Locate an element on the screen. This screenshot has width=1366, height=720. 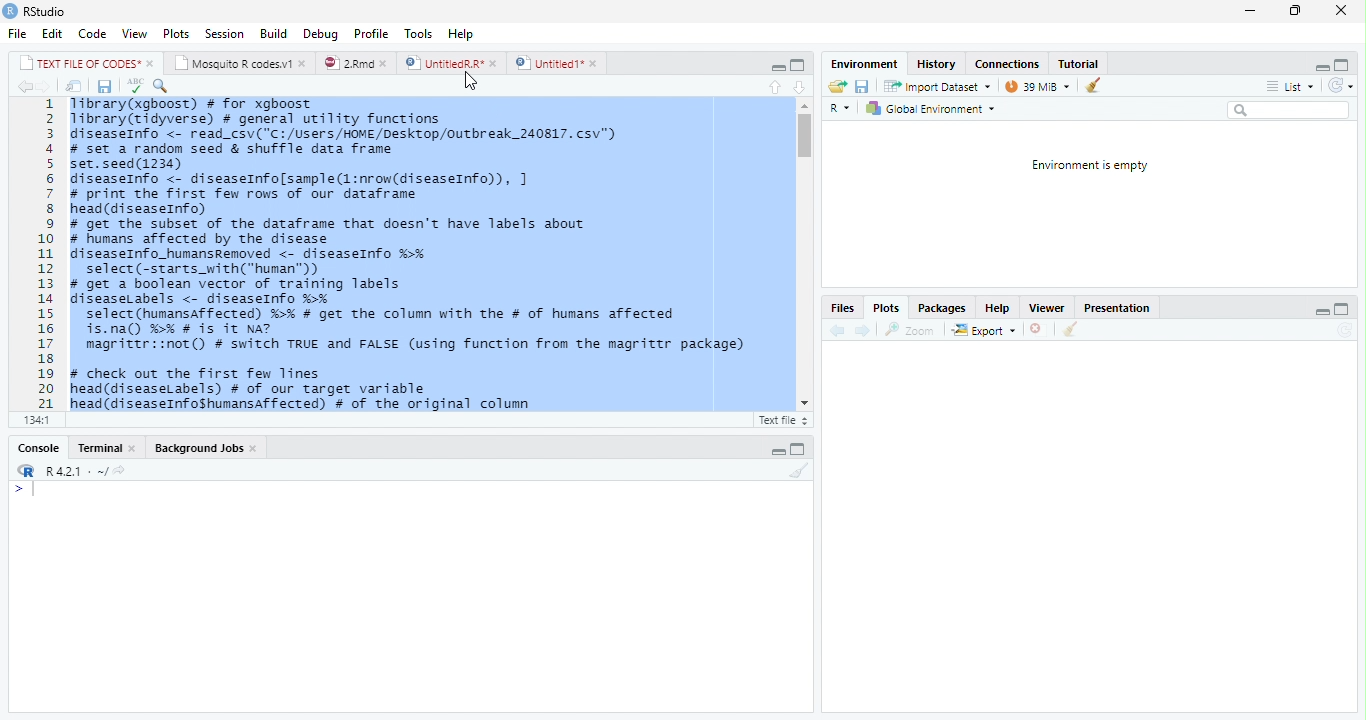
Plots is located at coordinates (885, 308).